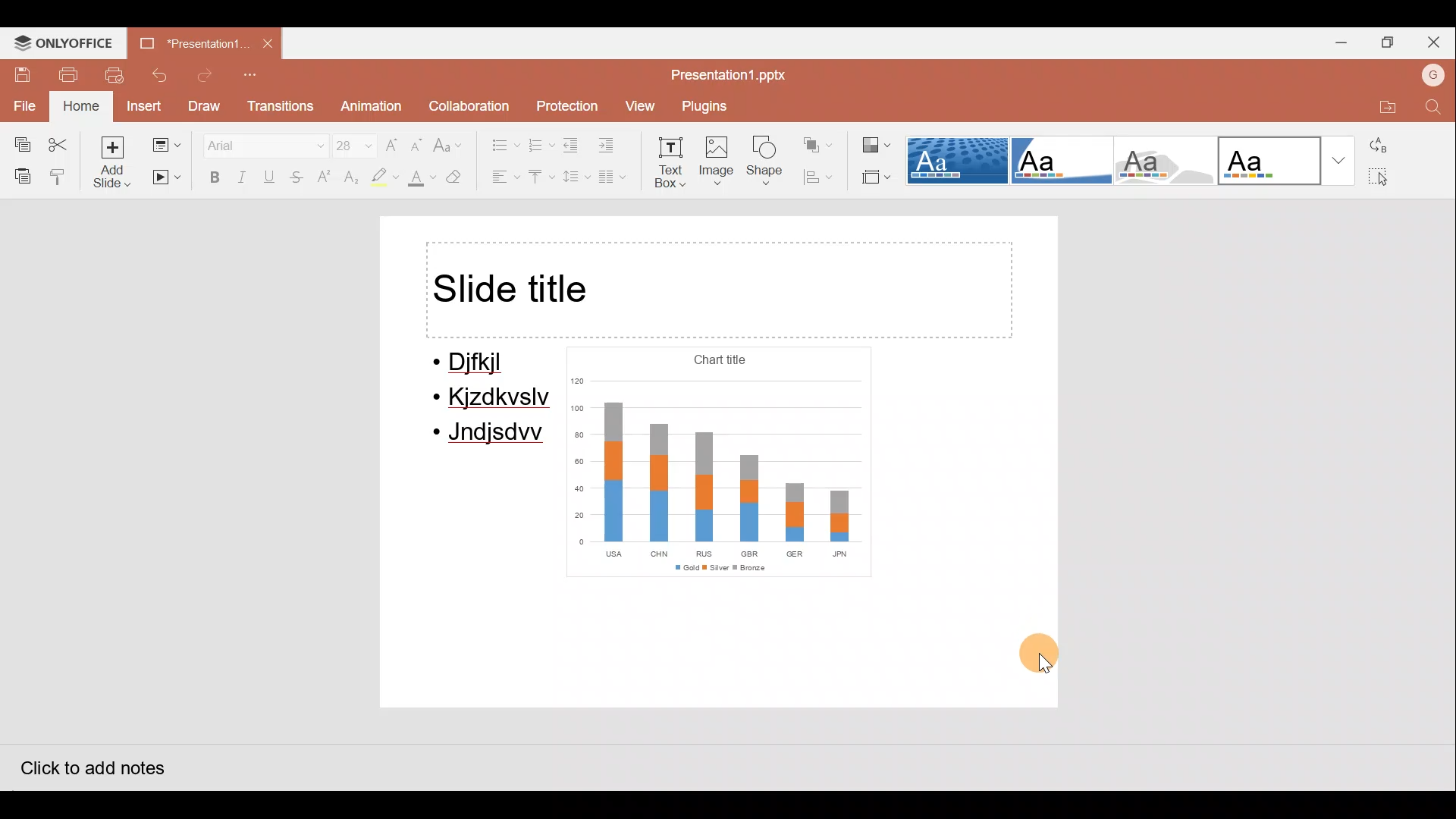 The width and height of the screenshot is (1456, 819). I want to click on Draw, so click(206, 107).